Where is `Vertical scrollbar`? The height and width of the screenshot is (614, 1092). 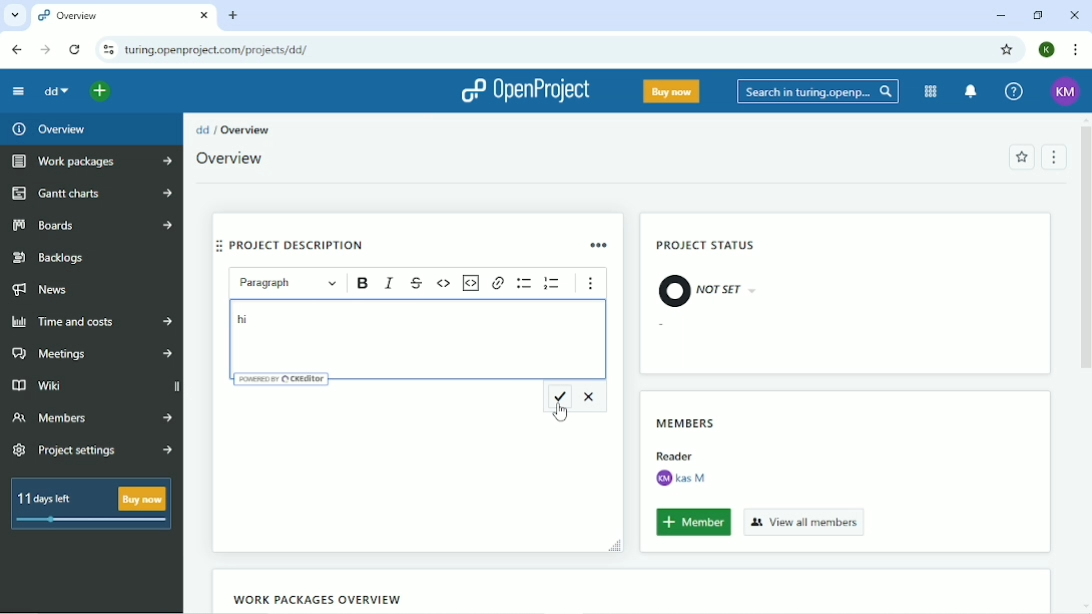 Vertical scrollbar is located at coordinates (1085, 254).